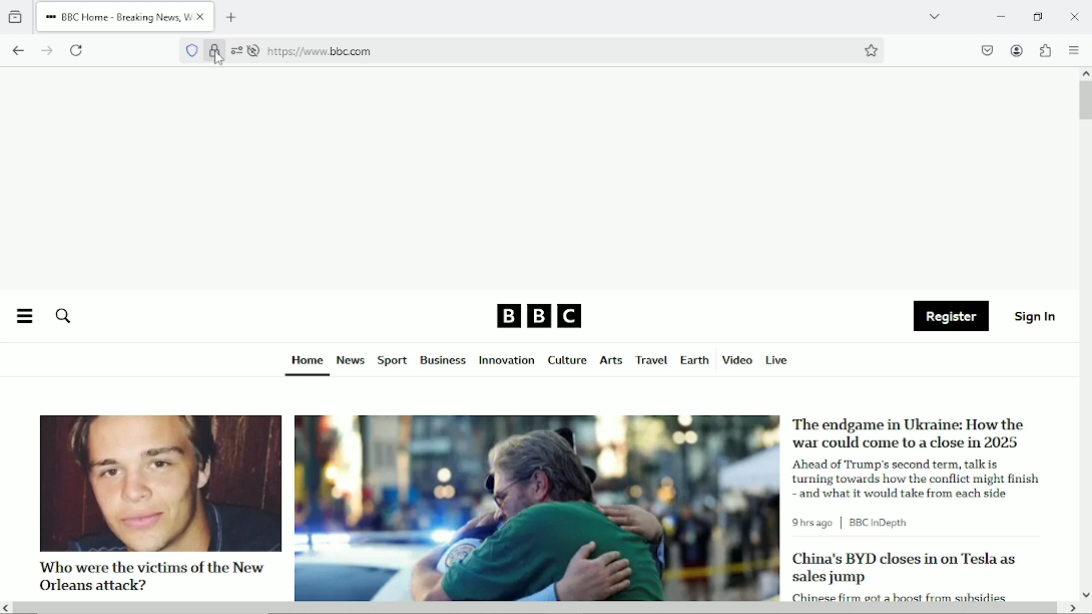 This screenshot has width=1092, height=614. What do you see at coordinates (233, 15) in the screenshot?
I see `New tab` at bounding box center [233, 15].